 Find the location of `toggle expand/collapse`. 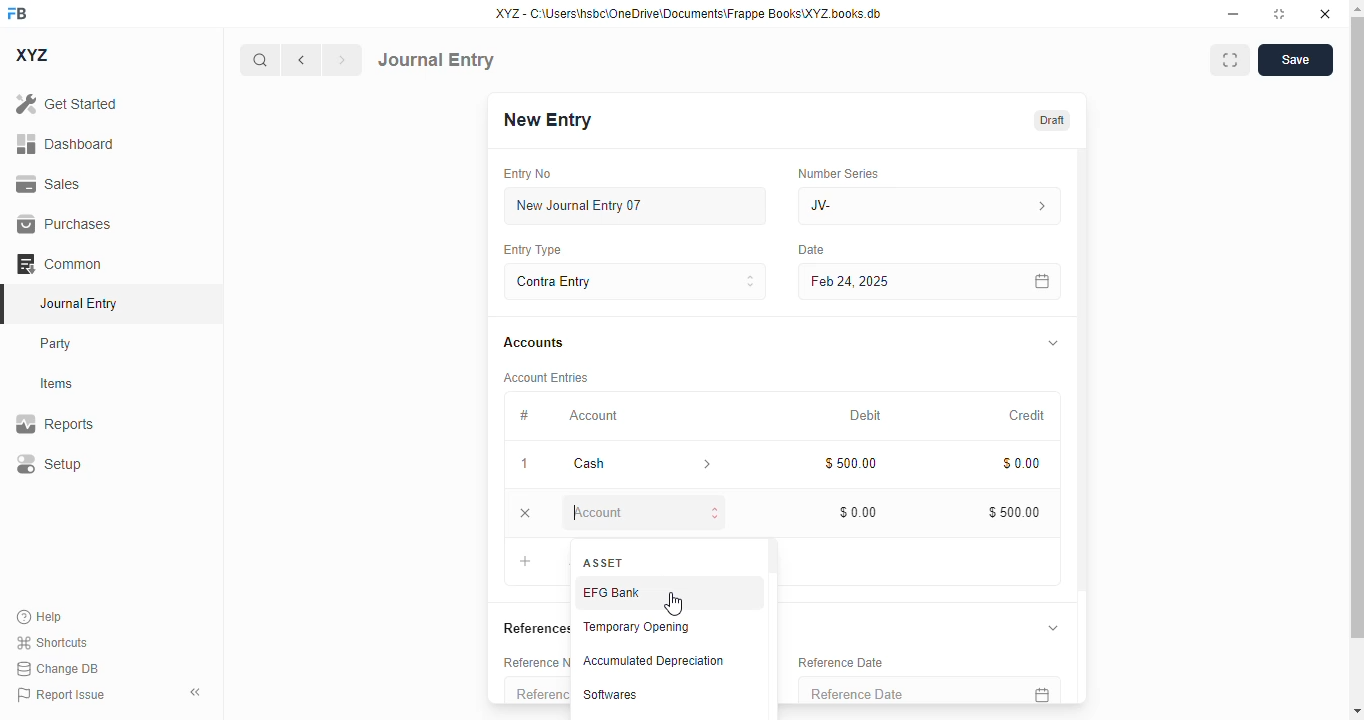

toggle expand/collapse is located at coordinates (1055, 342).